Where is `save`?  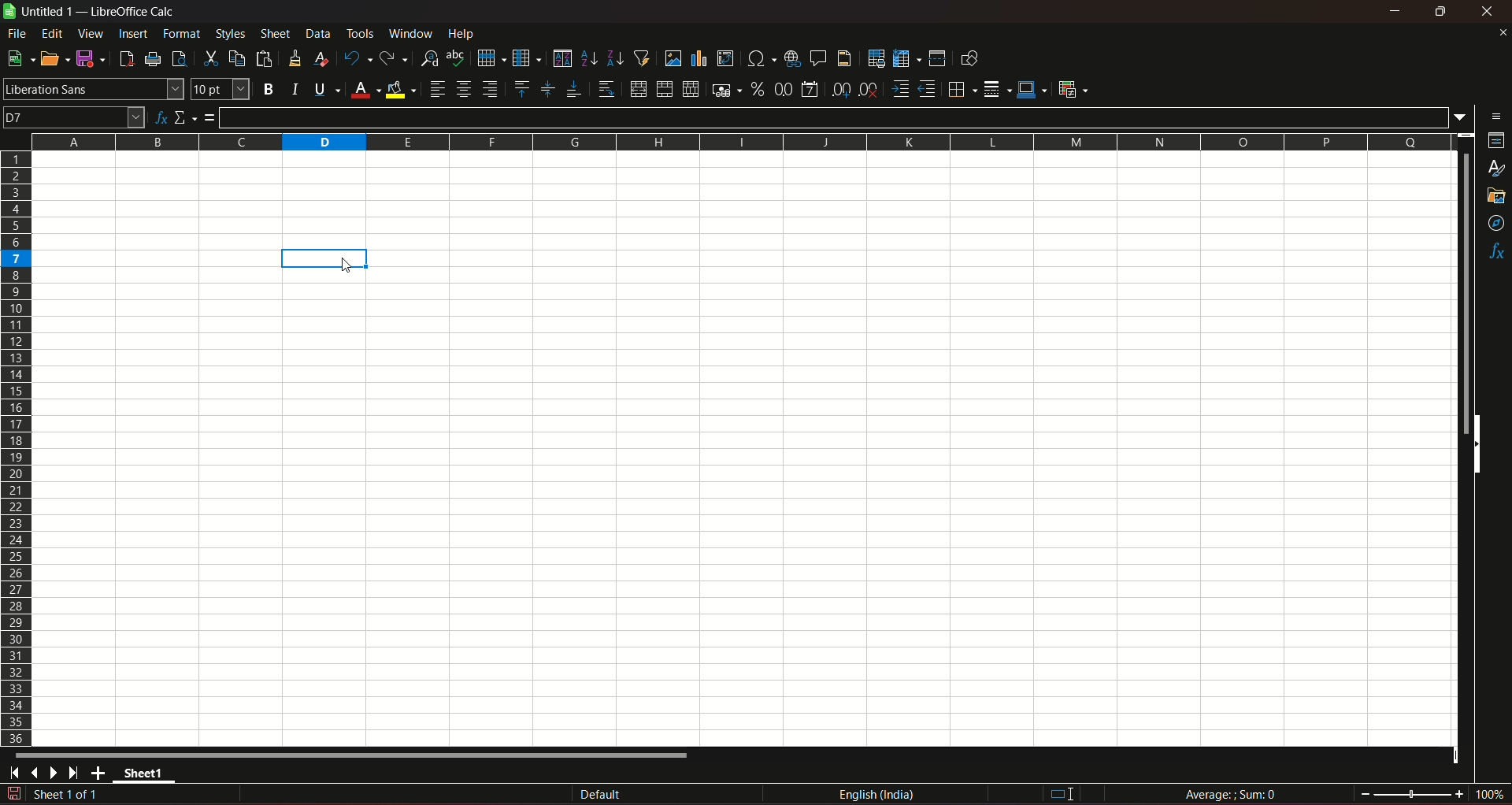
save is located at coordinates (87, 57).